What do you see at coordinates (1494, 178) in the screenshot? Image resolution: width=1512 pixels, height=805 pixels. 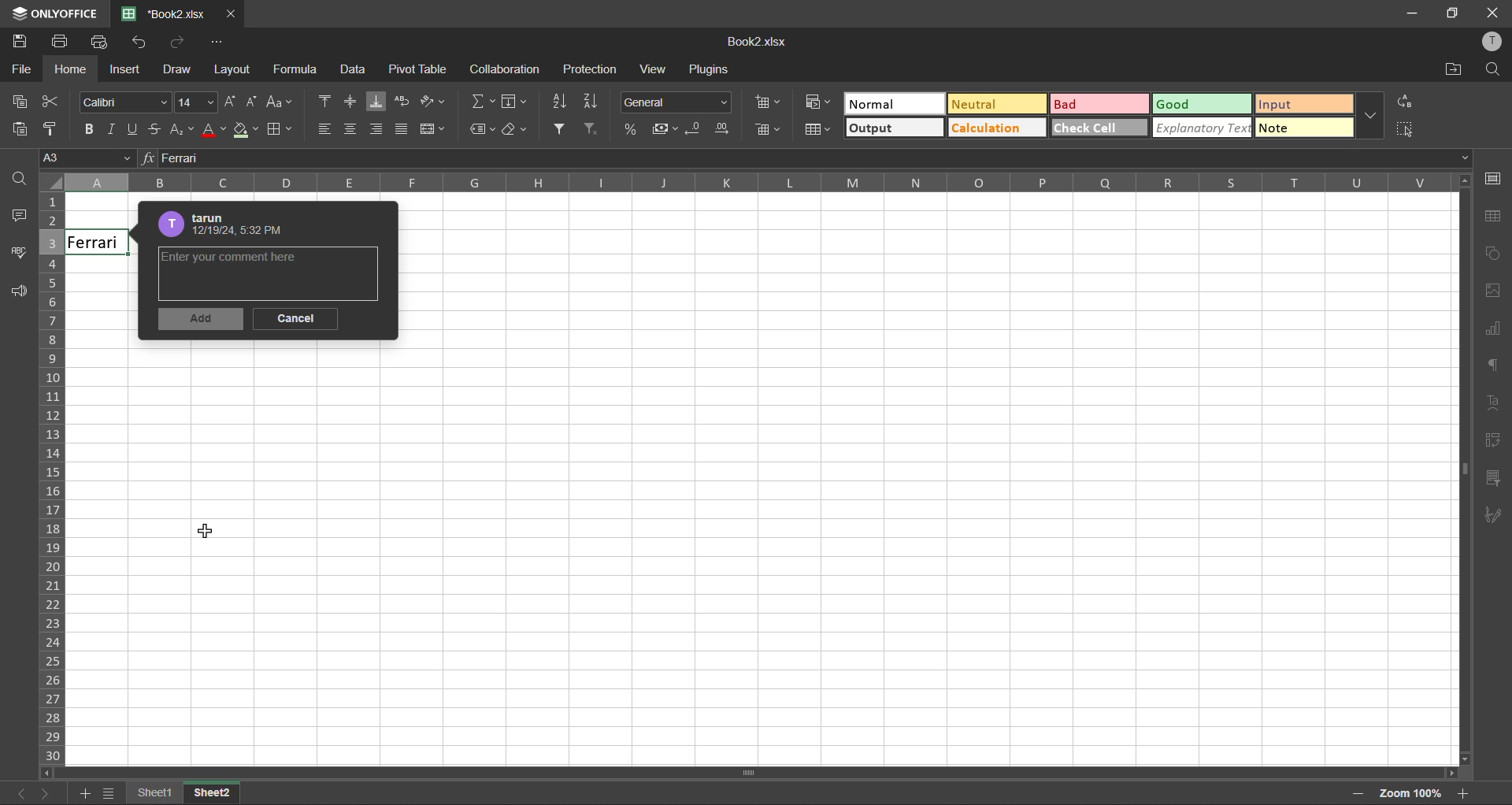 I see `cell settings` at bounding box center [1494, 178].